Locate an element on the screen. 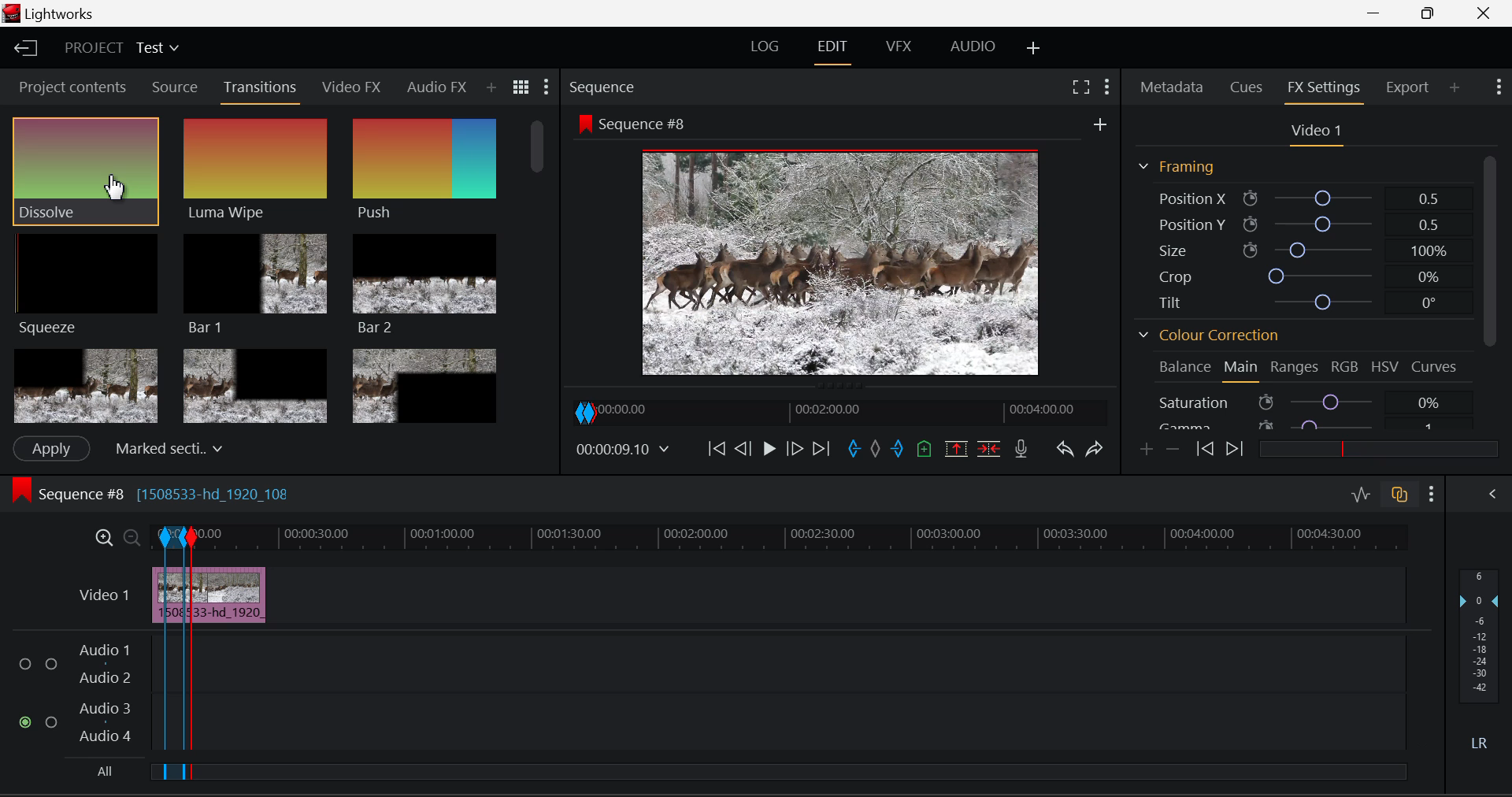  Gamma is located at coordinates (1303, 425).